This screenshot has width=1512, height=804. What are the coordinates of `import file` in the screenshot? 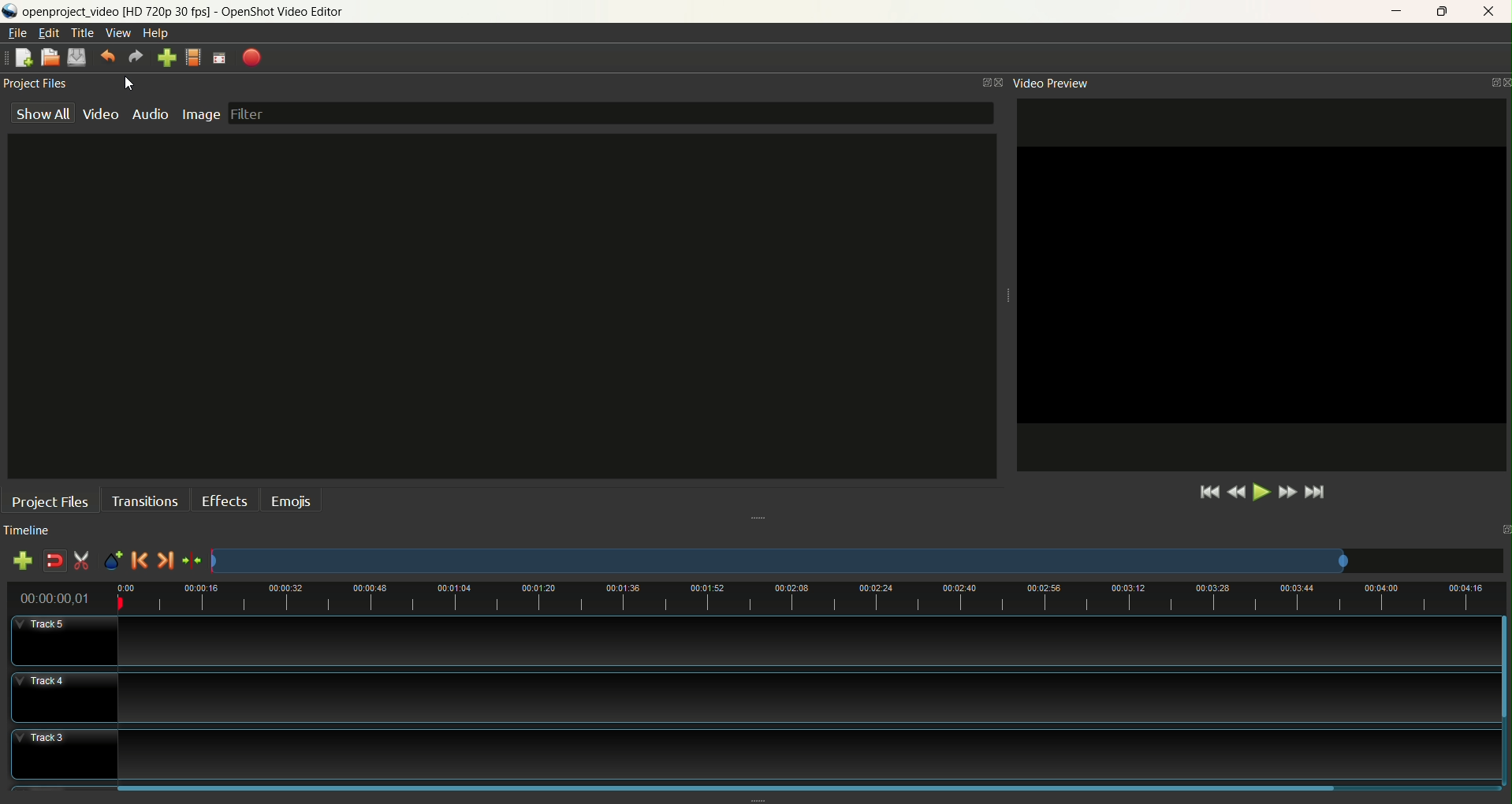 It's located at (164, 57).